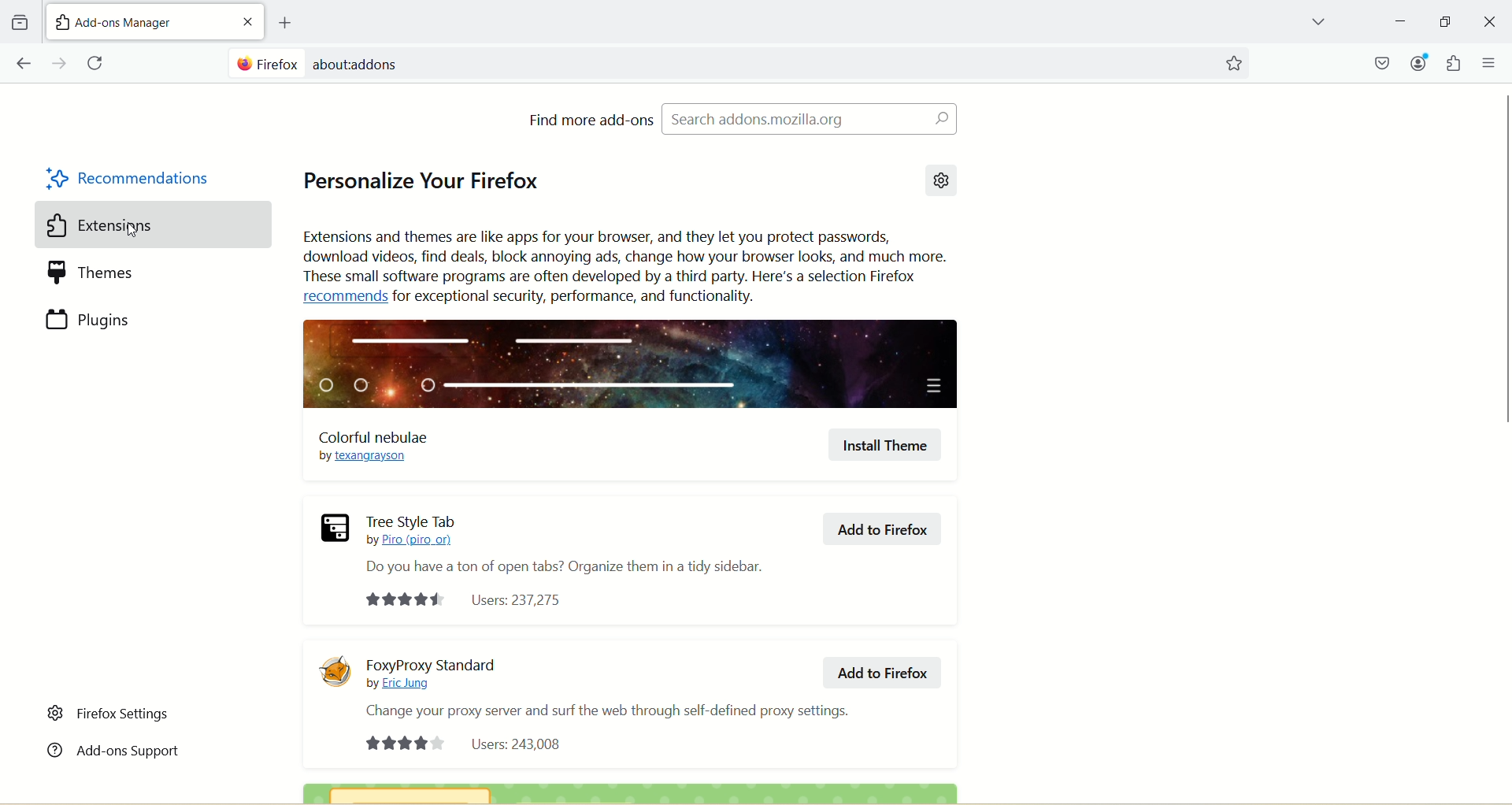 This screenshot has height=805, width=1512. I want to click on Account, so click(1418, 62).